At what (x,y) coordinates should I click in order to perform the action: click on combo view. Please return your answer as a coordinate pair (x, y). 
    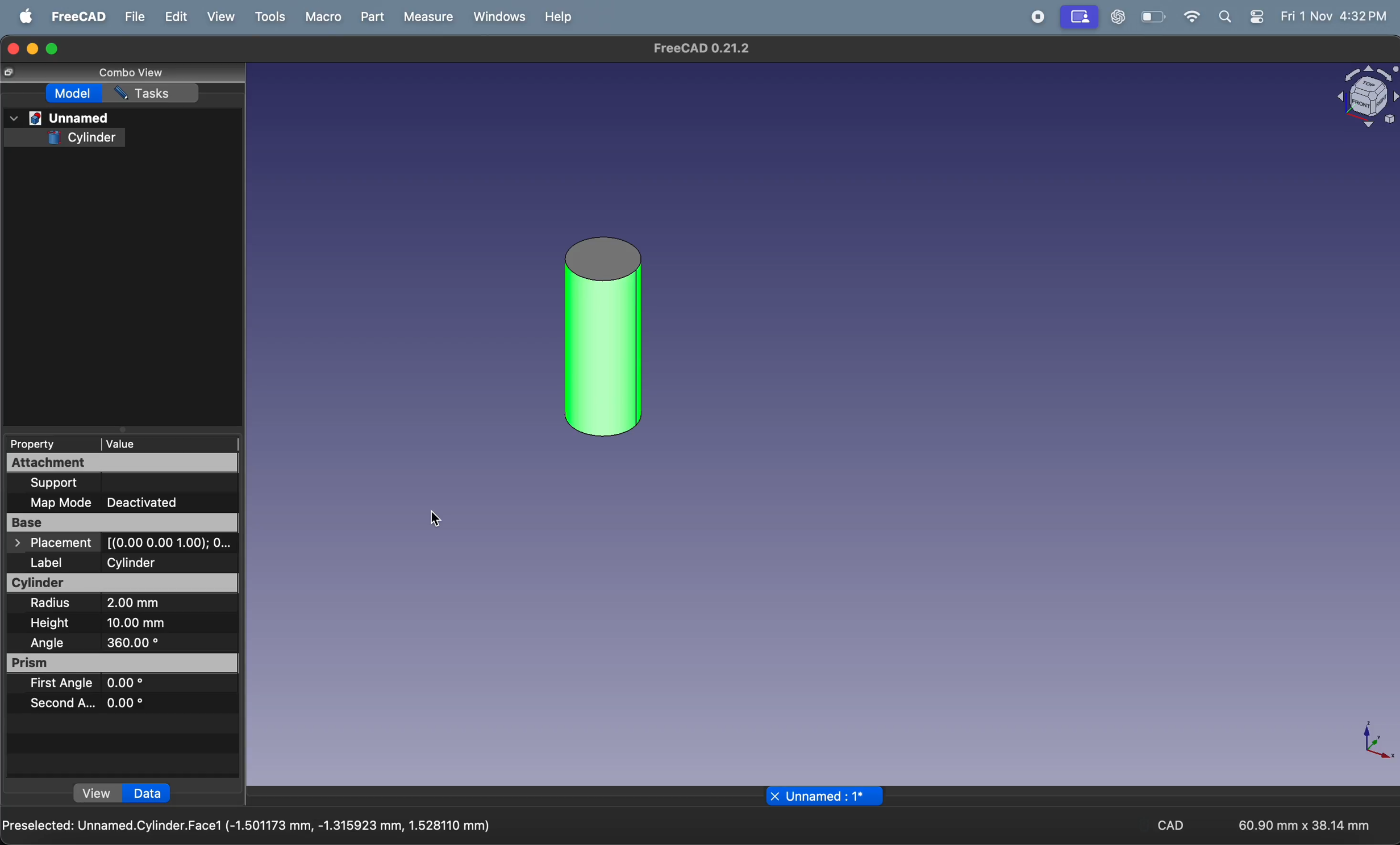
    Looking at the image, I should click on (132, 74).